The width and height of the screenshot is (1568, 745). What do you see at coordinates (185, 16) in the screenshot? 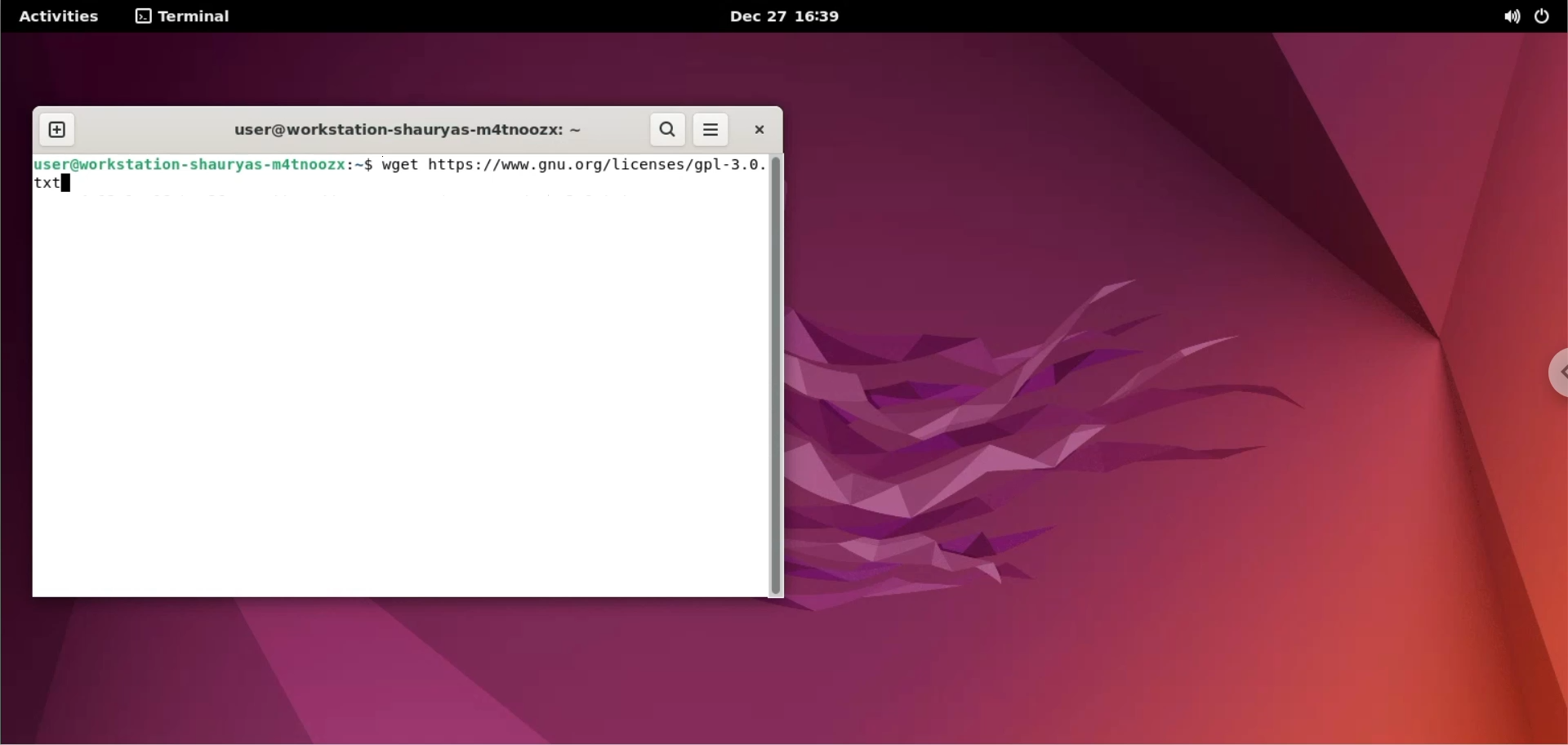
I see `Terminal` at bounding box center [185, 16].